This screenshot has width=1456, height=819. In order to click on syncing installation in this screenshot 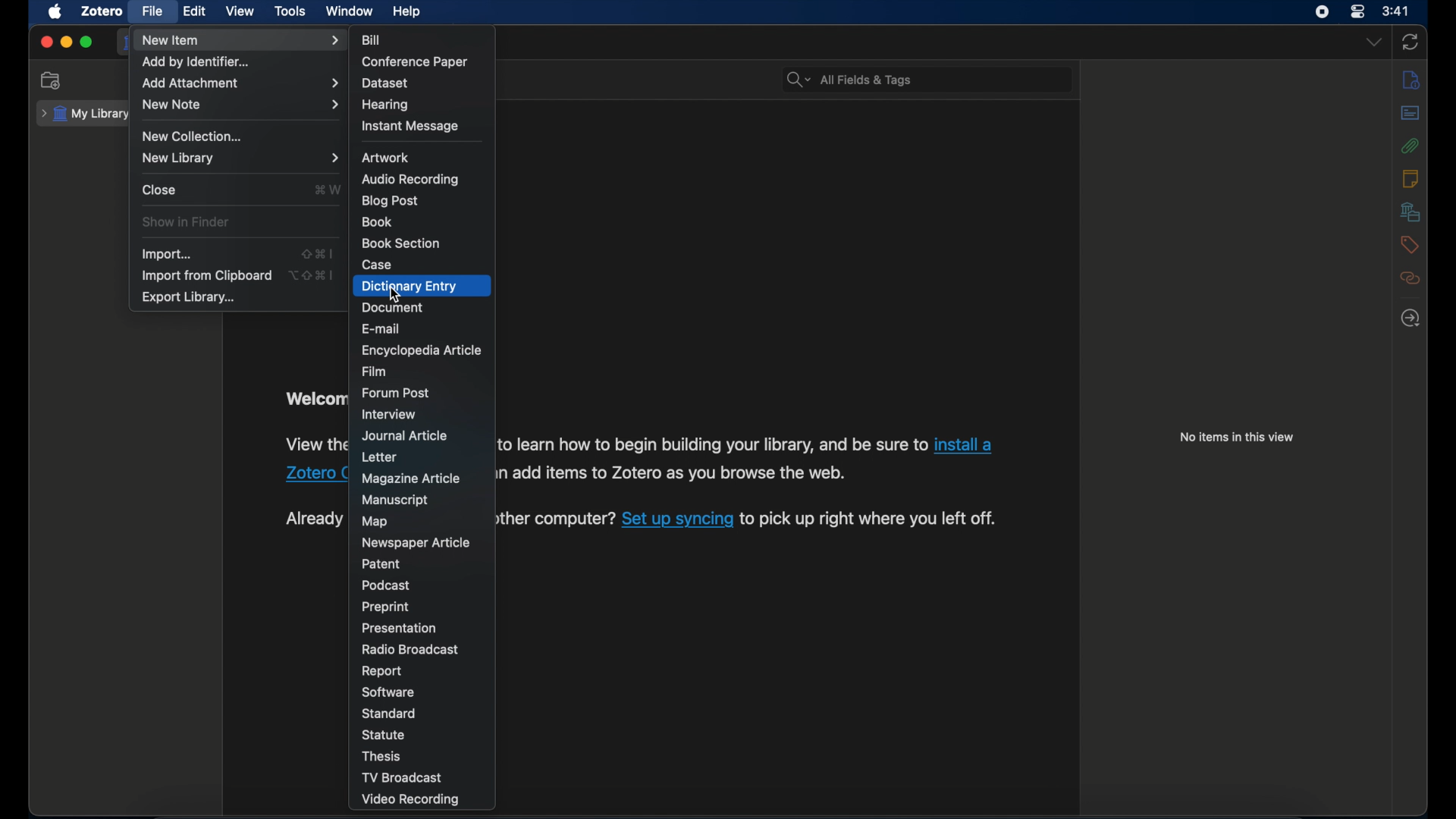, I will do `click(310, 519)`.